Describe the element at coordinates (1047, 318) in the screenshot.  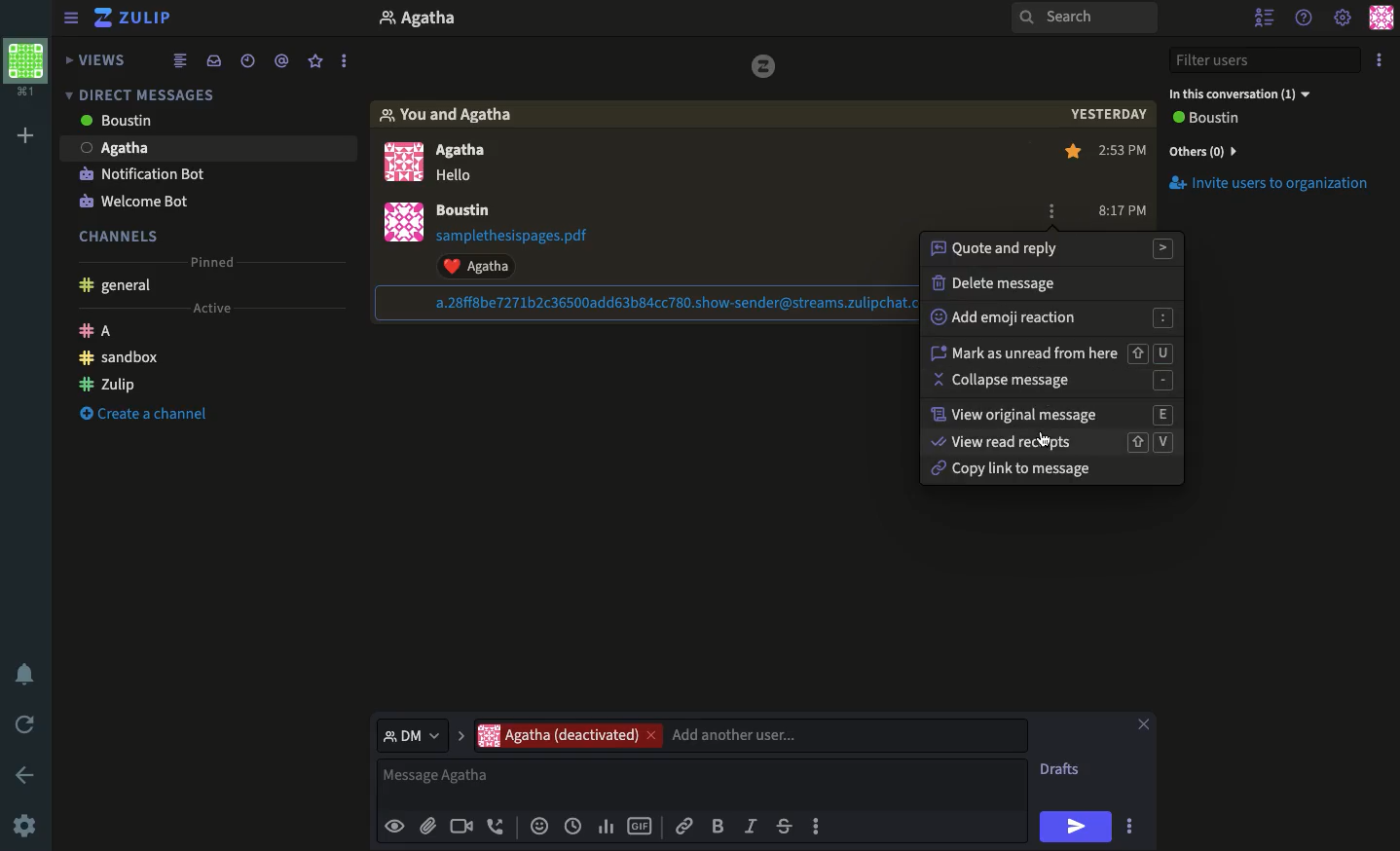
I see `add emoji reaction` at that location.